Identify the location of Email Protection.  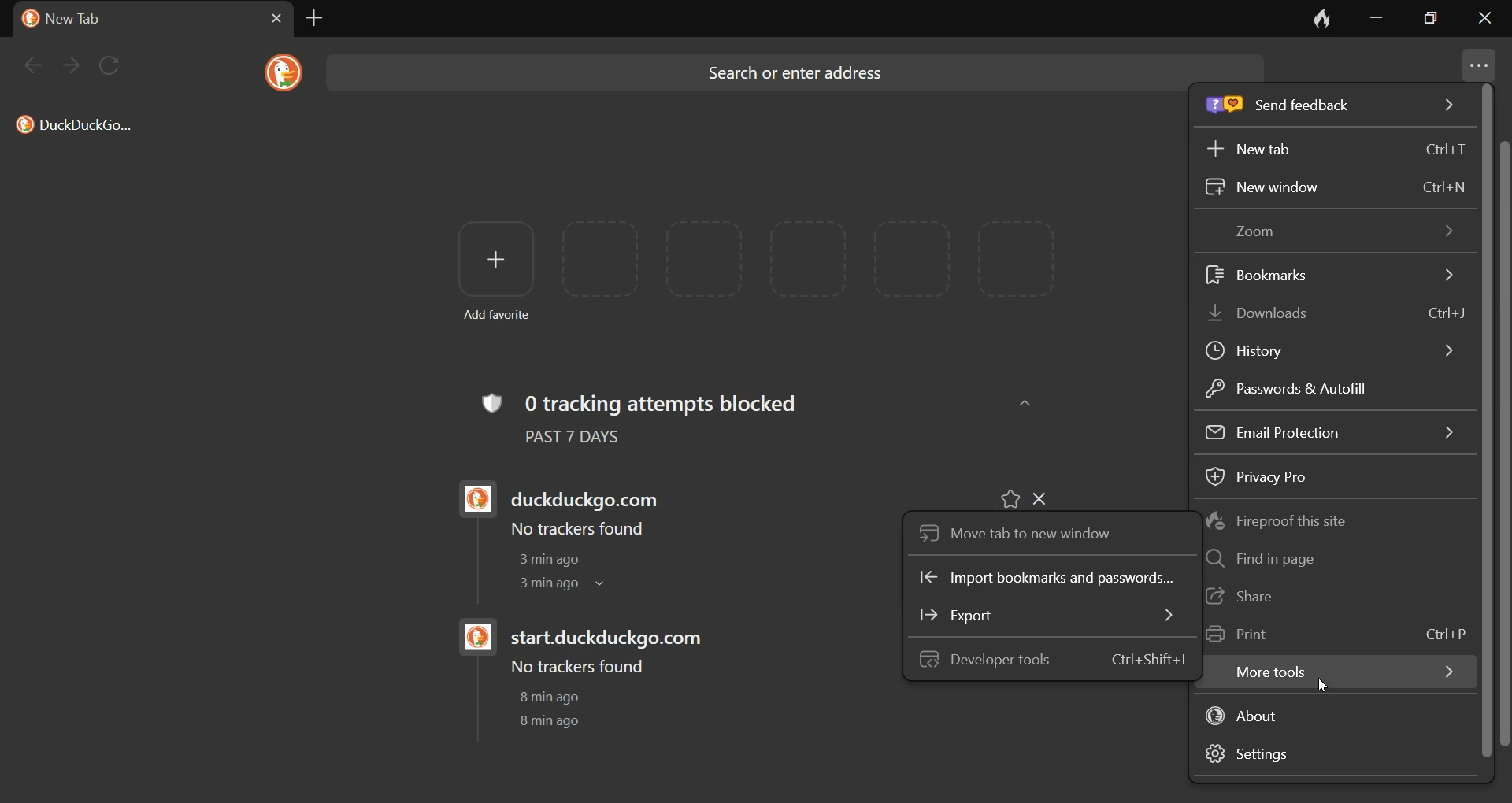
(1325, 430).